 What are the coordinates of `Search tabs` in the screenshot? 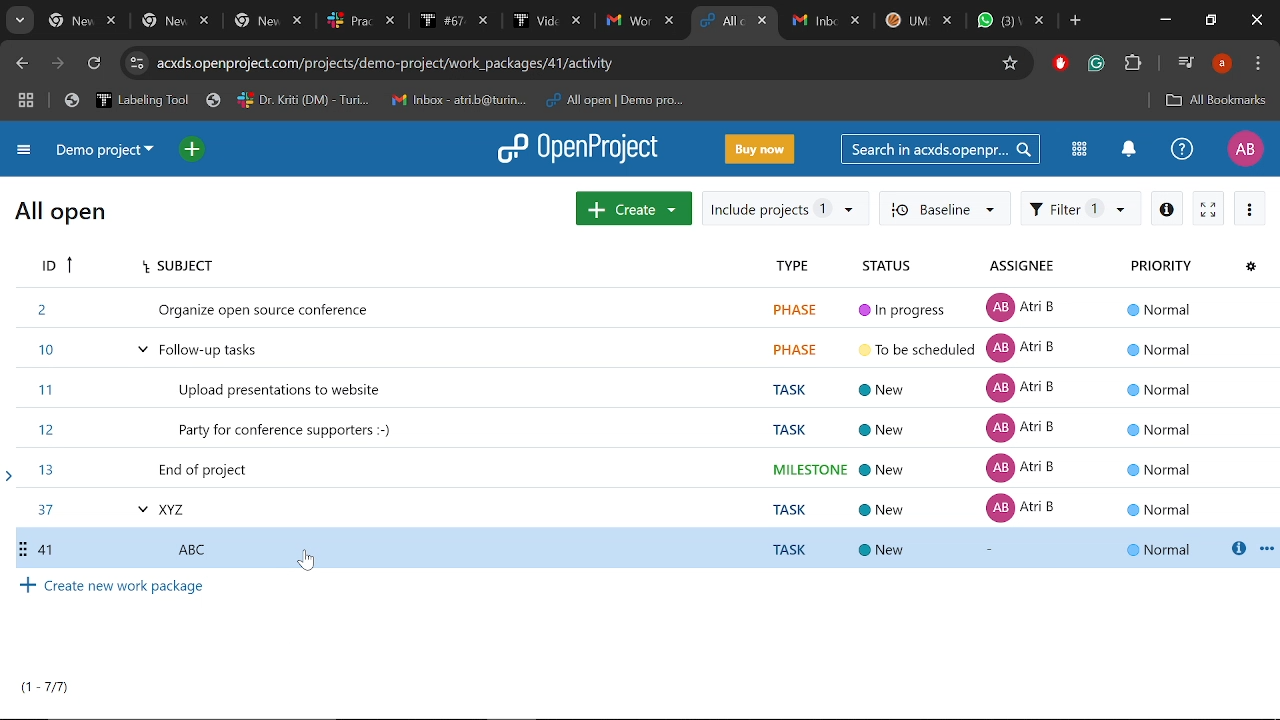 It's located at (22, 22).